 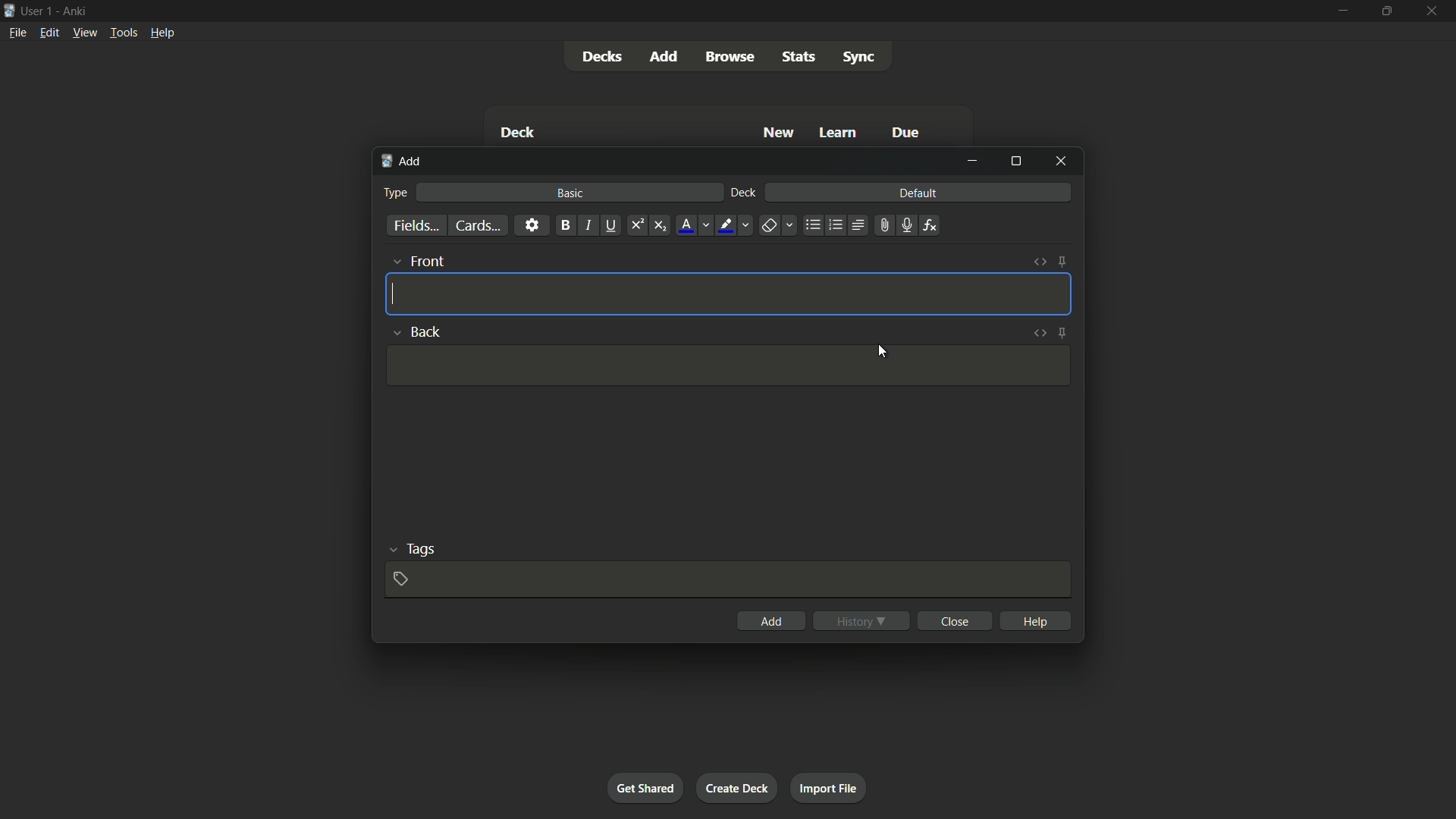 What do you see at coordinates (645, 789) in the screenshot?
I see `get shared` at bounding box center [645, 789].